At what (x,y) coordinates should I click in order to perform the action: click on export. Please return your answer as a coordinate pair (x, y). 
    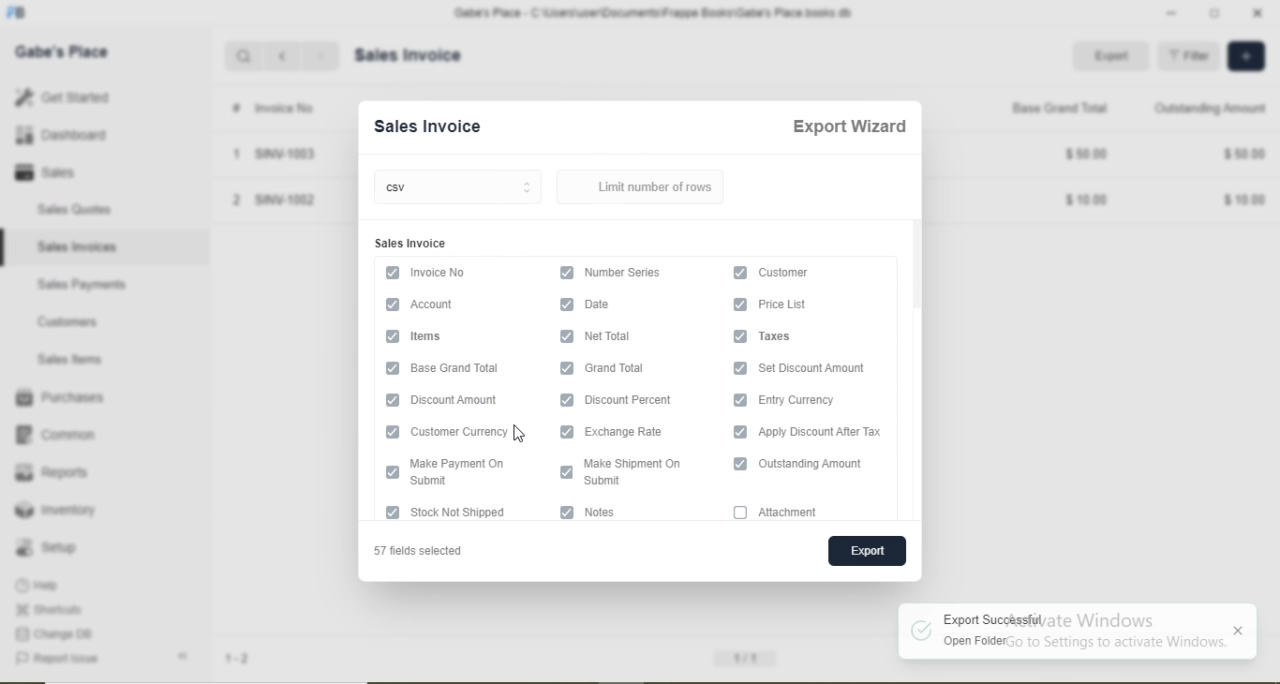
    Looking at the image, I should click on (864, 550).